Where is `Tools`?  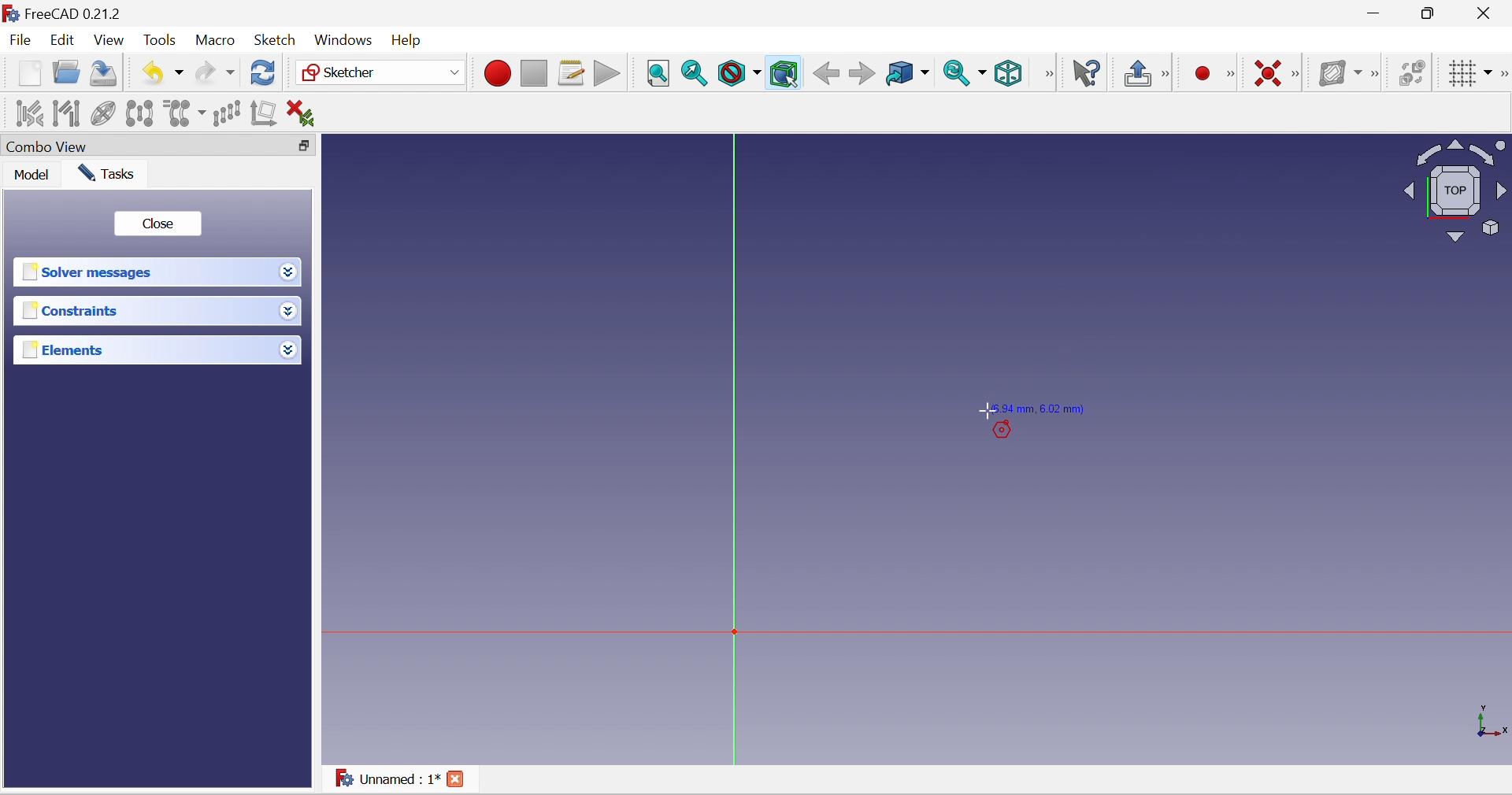
Tools is located at coordinates (158, 39).